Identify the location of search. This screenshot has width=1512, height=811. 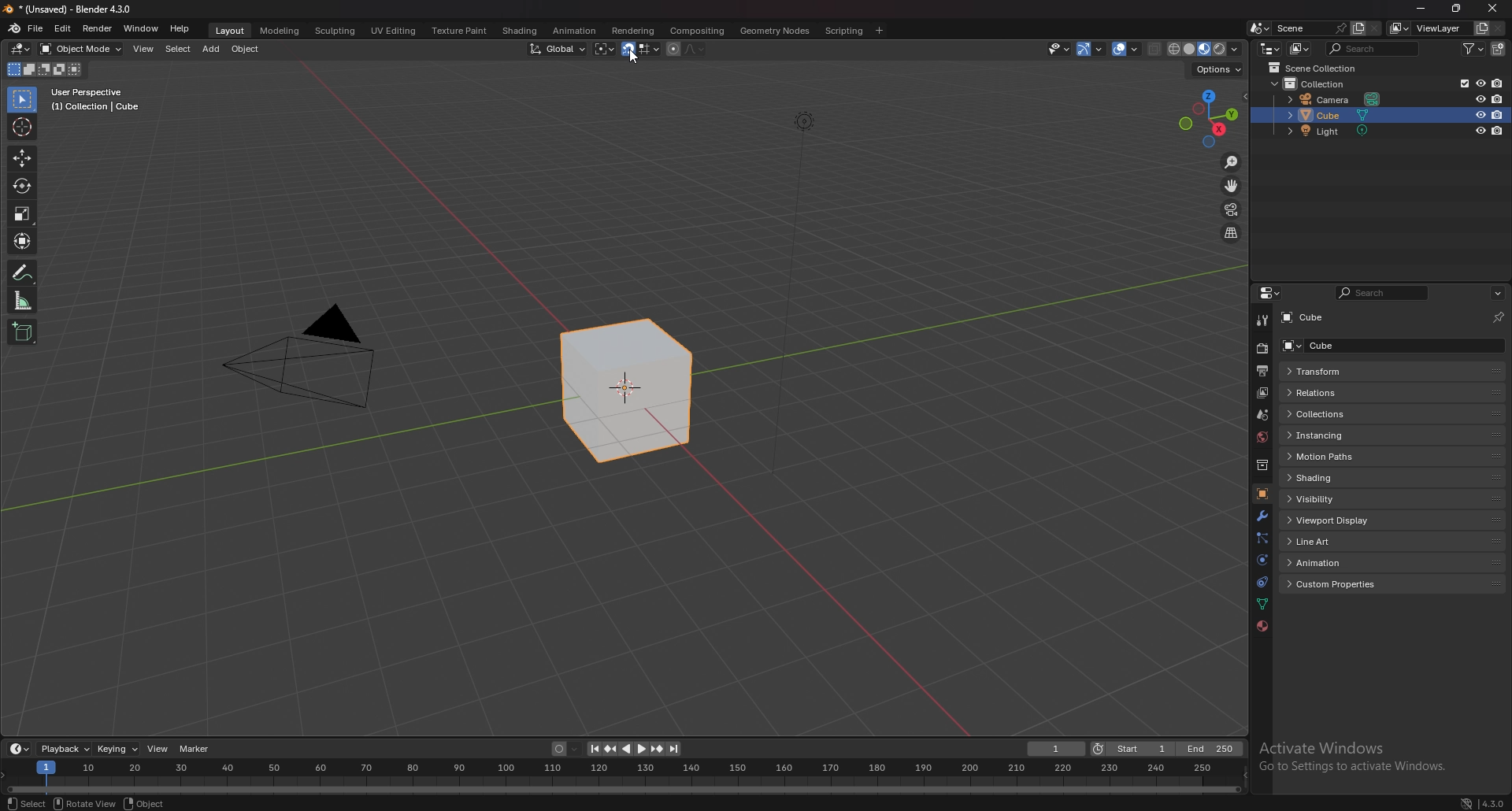
(1374, 48).